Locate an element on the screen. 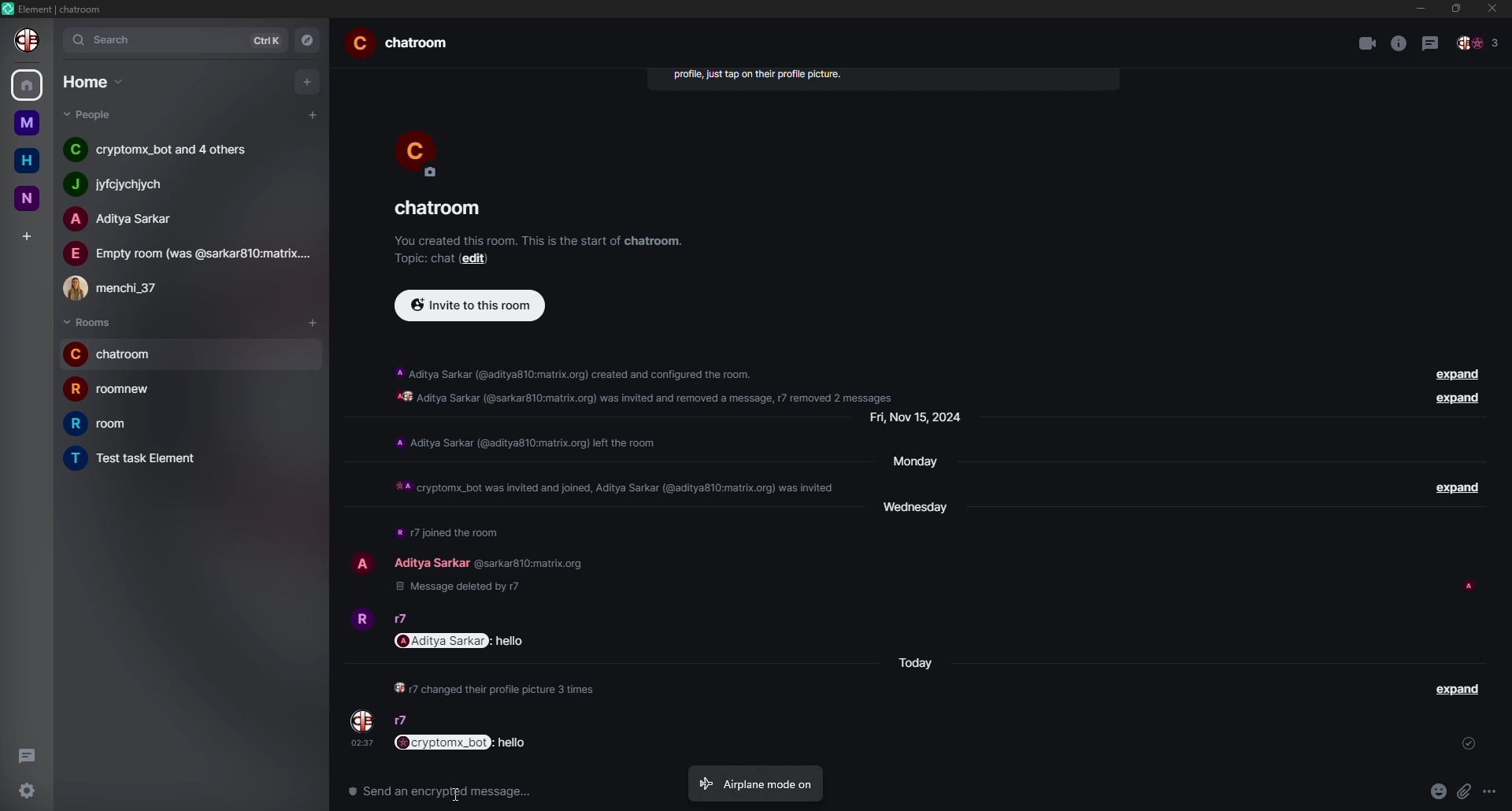 This screenshot has width=1512, height=811. settings is located at coordinates (26, 791).